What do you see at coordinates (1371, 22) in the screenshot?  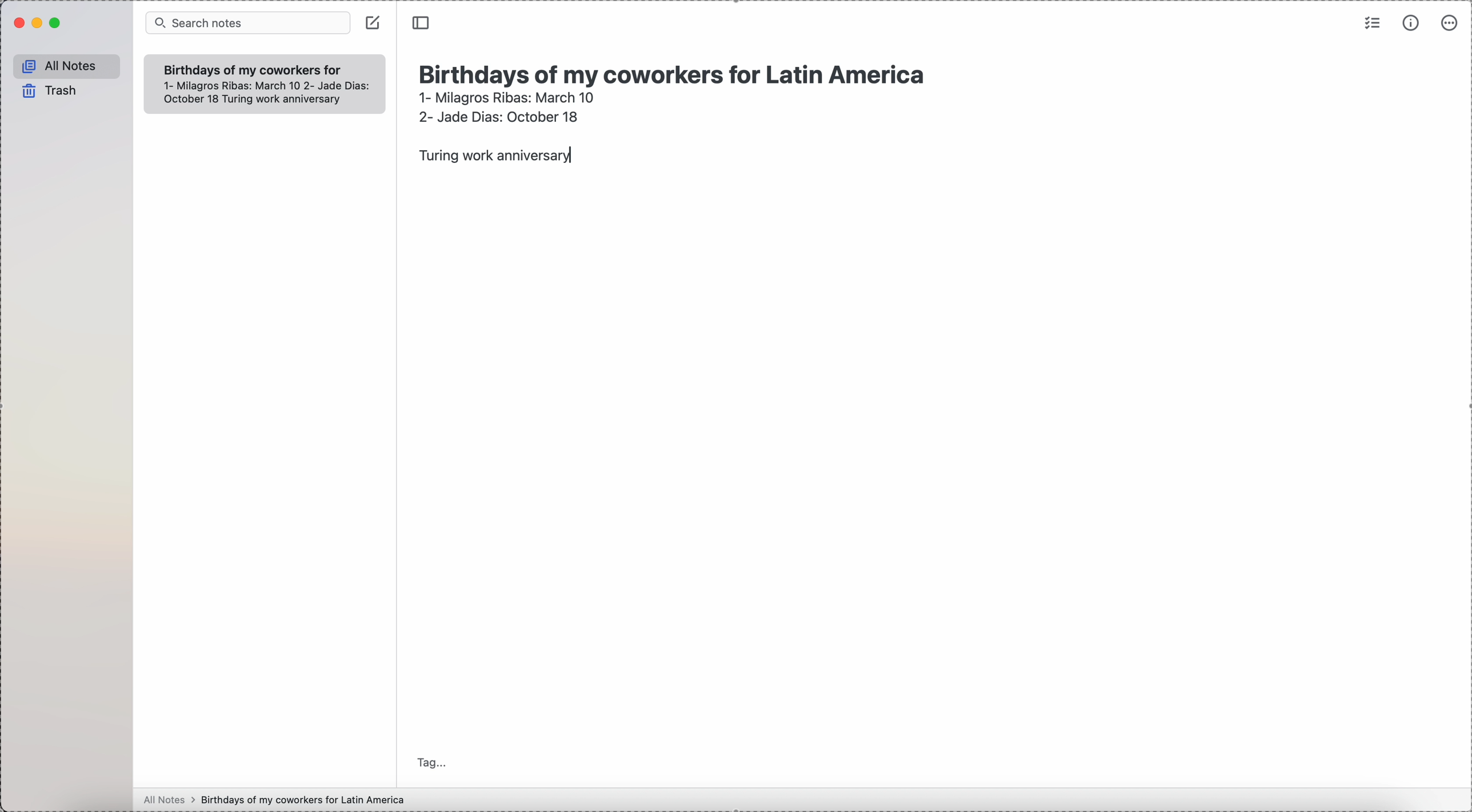 I see `check list` at bounding box center [1371, 22].